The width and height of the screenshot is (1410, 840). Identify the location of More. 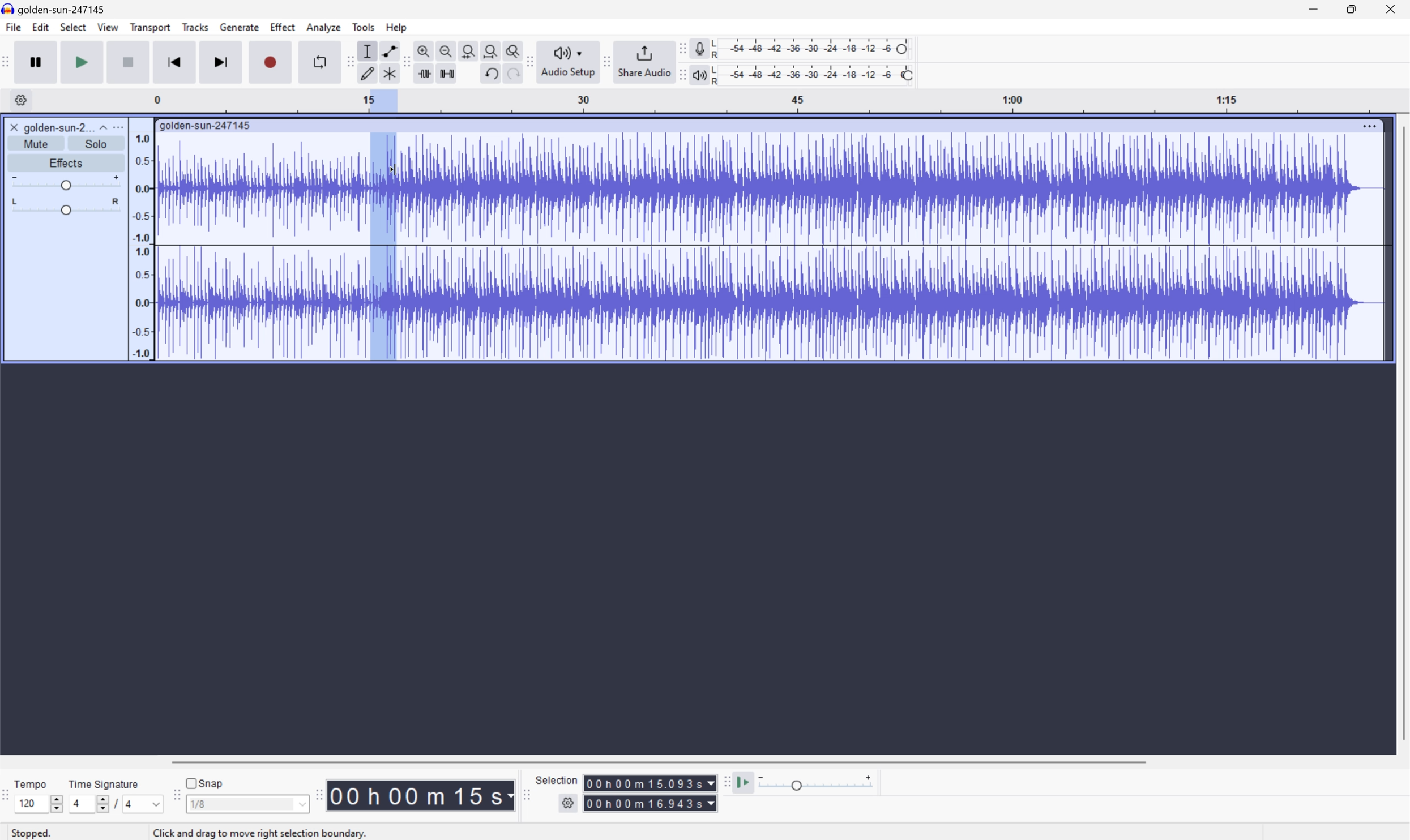
(121, 126).